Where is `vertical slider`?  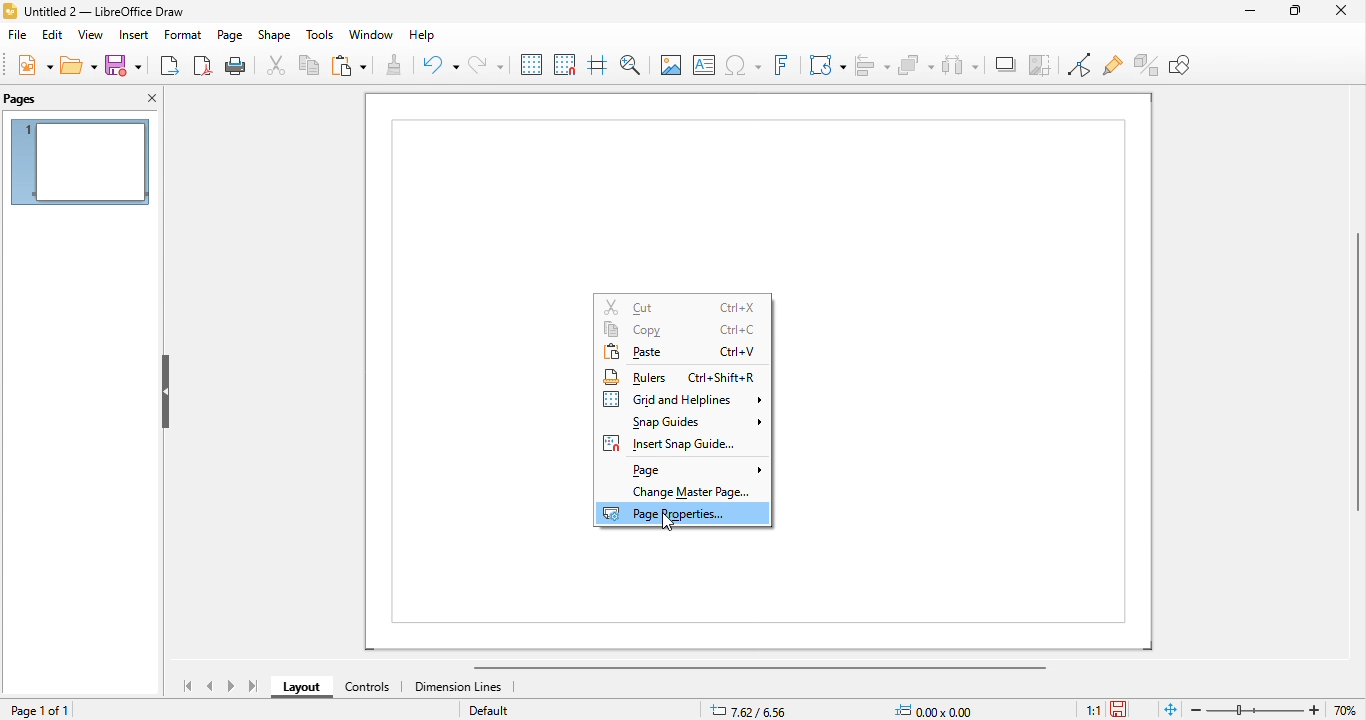
vertical slider is located at coordinates (1350, 378).